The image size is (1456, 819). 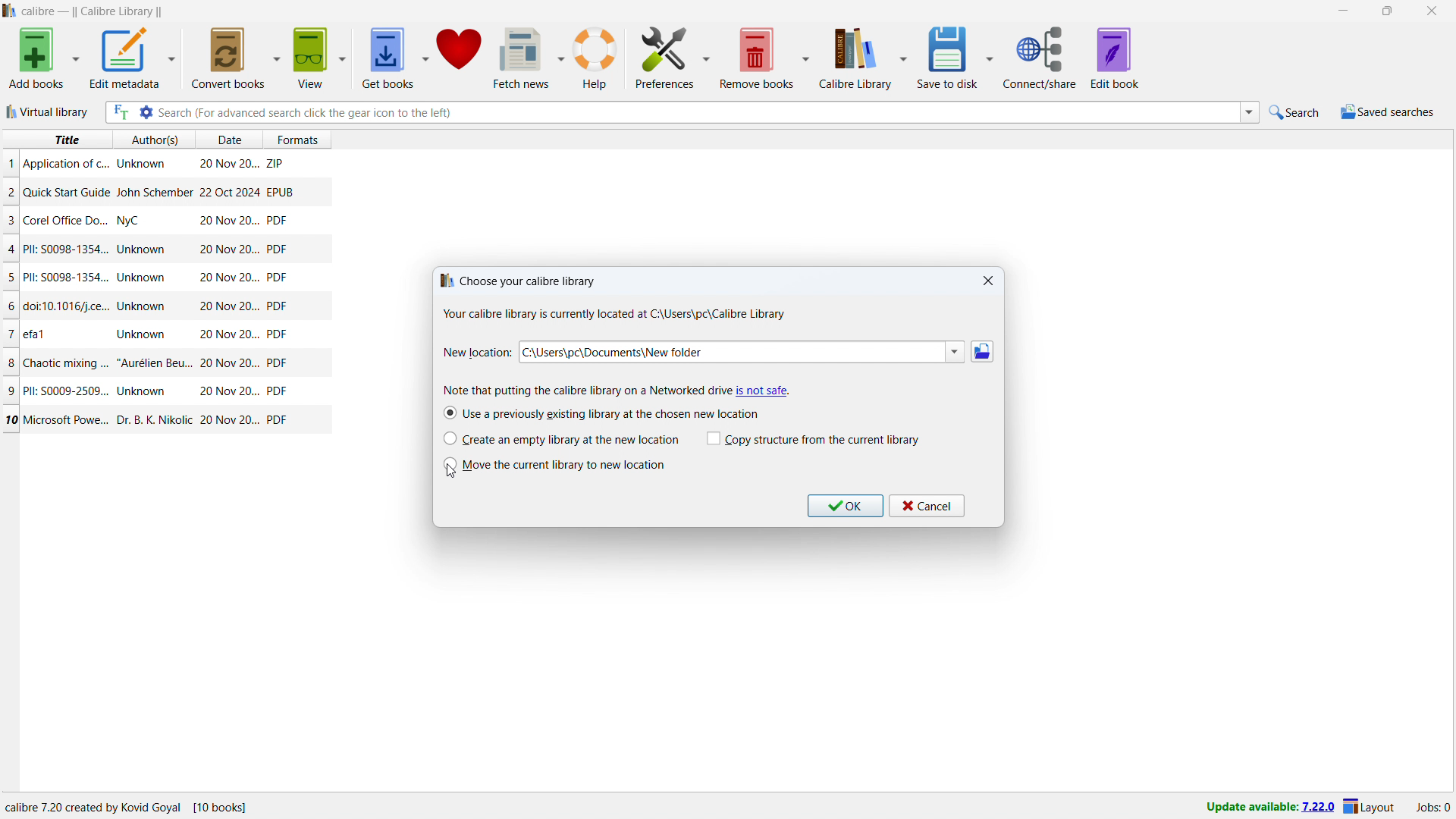 I want to click on caution, so click(x=762, y=391).